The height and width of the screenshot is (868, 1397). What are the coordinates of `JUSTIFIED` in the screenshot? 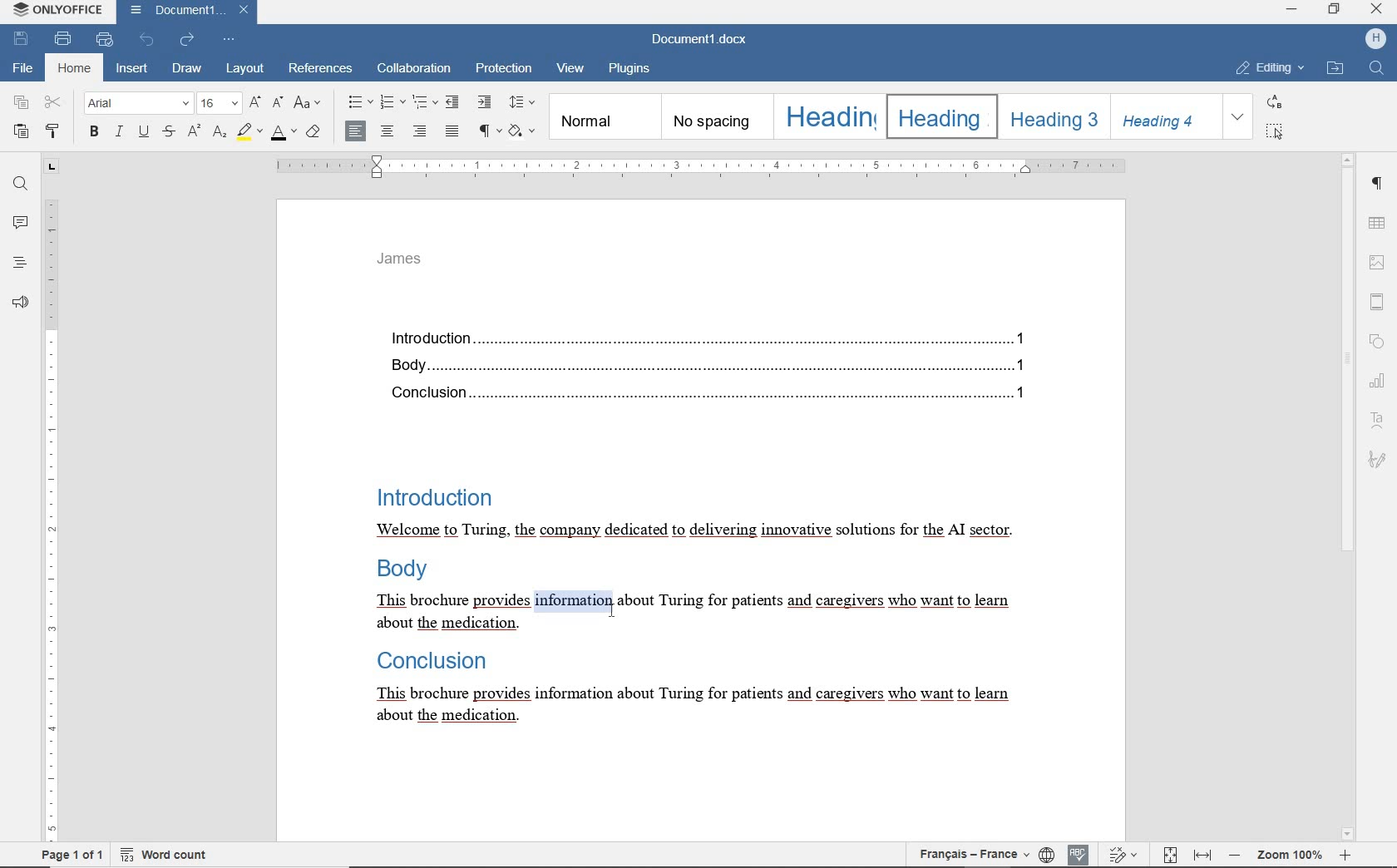 It's located at (452, 131).